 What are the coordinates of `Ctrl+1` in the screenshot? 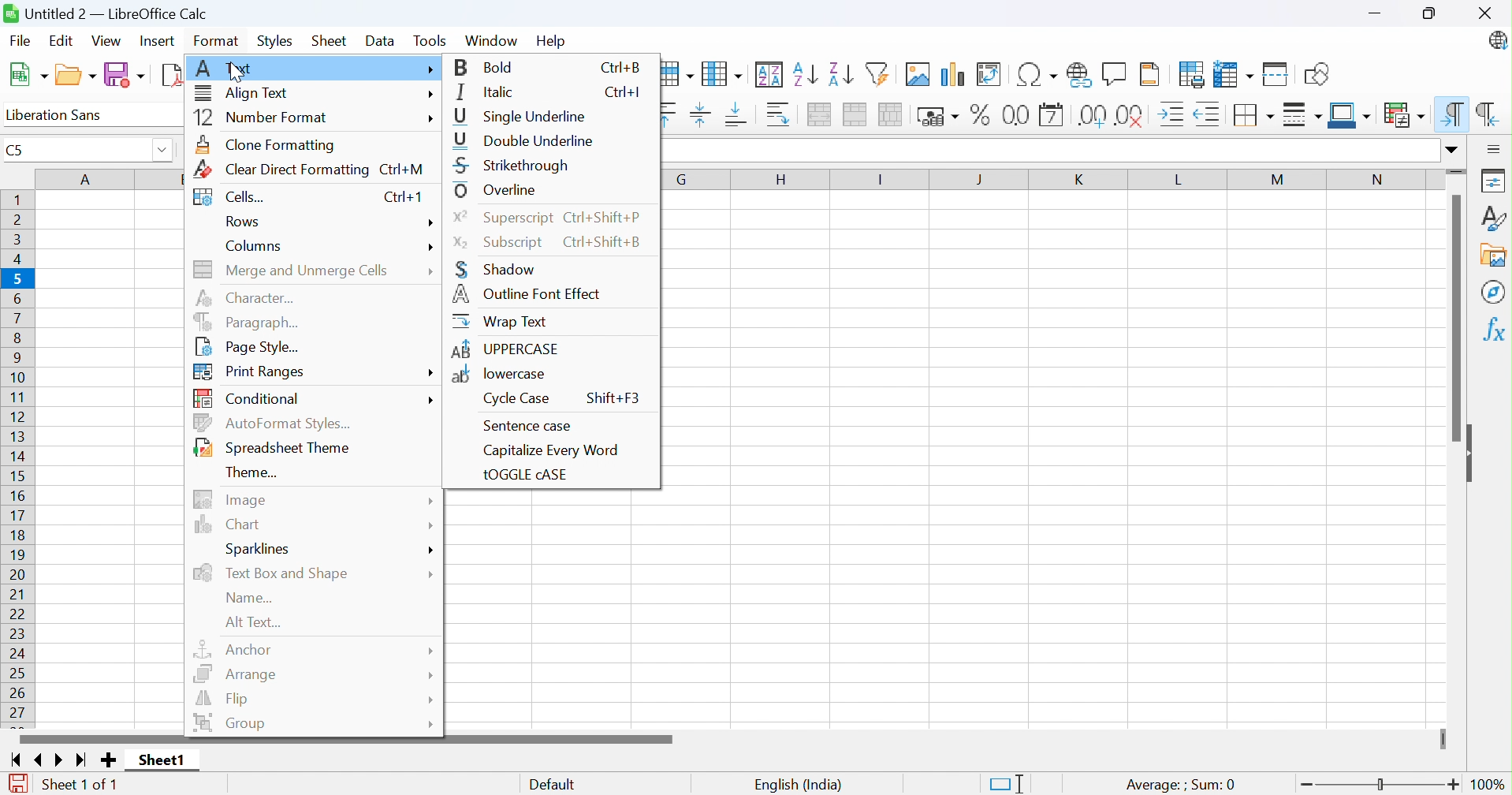 It's located at (404, 198).